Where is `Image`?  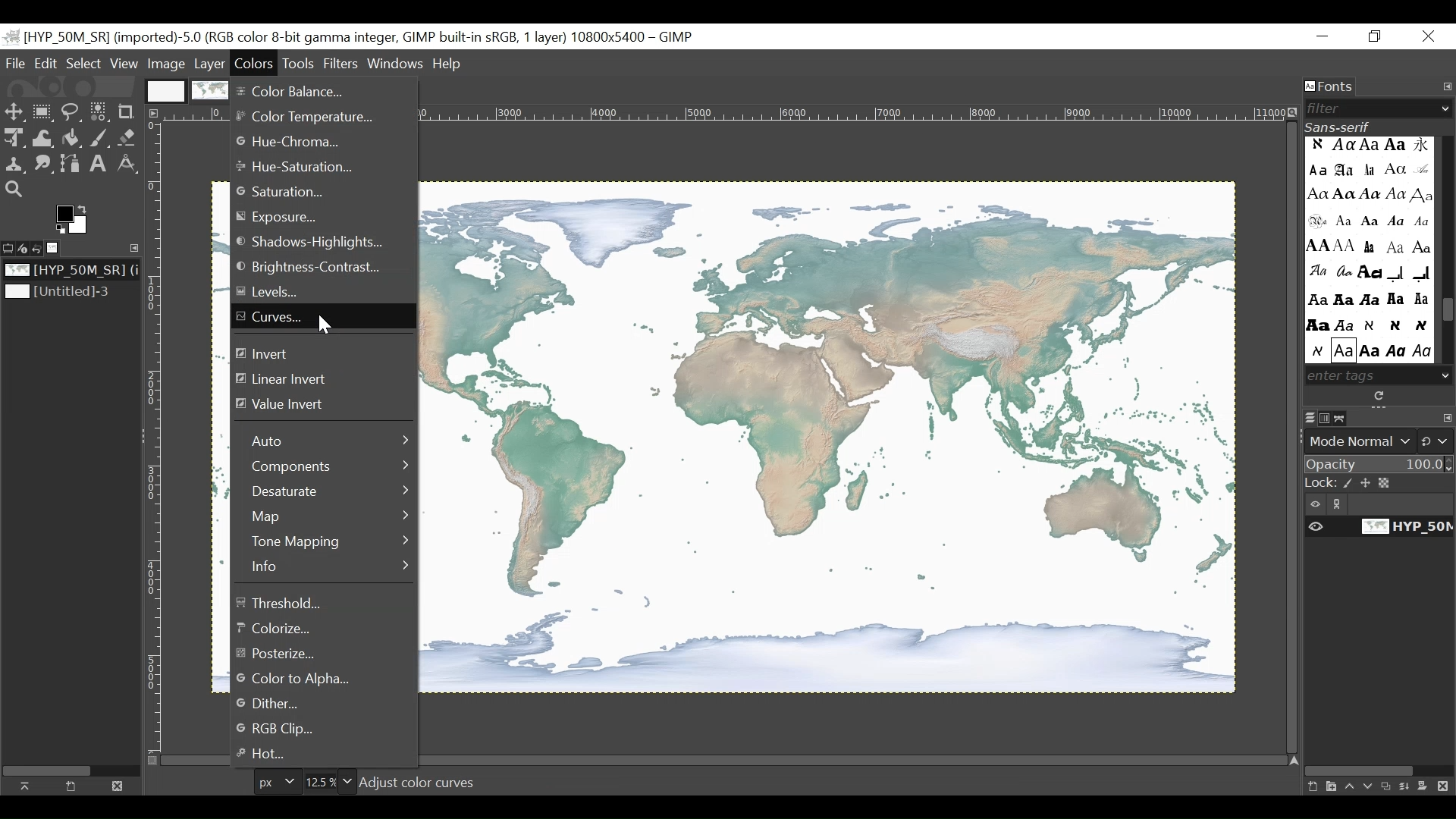 Image is located at coordinates (168, 64).